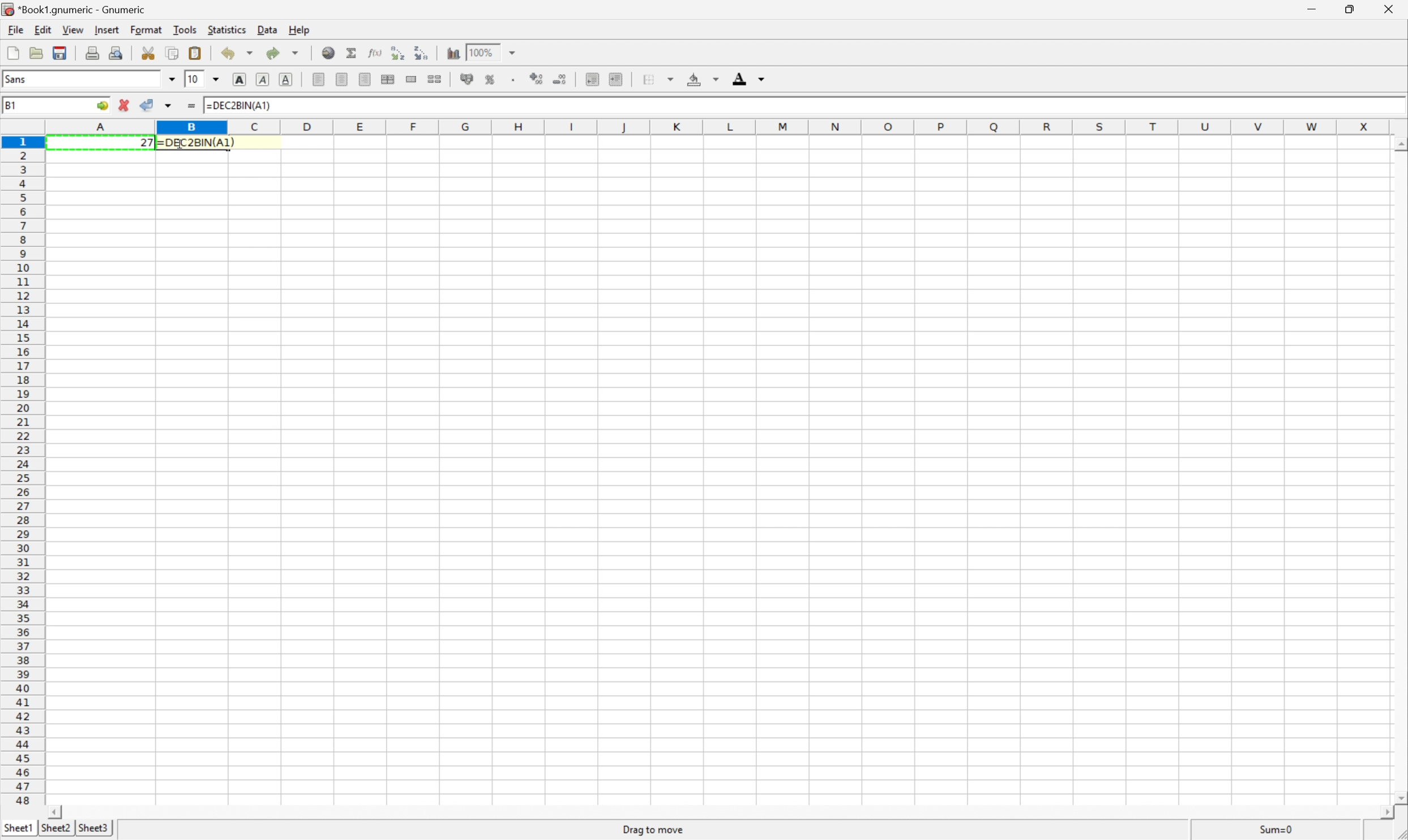 The height and width of the screenshot is (840, 1408). I want to click on Sheet3, so click(92, 829).